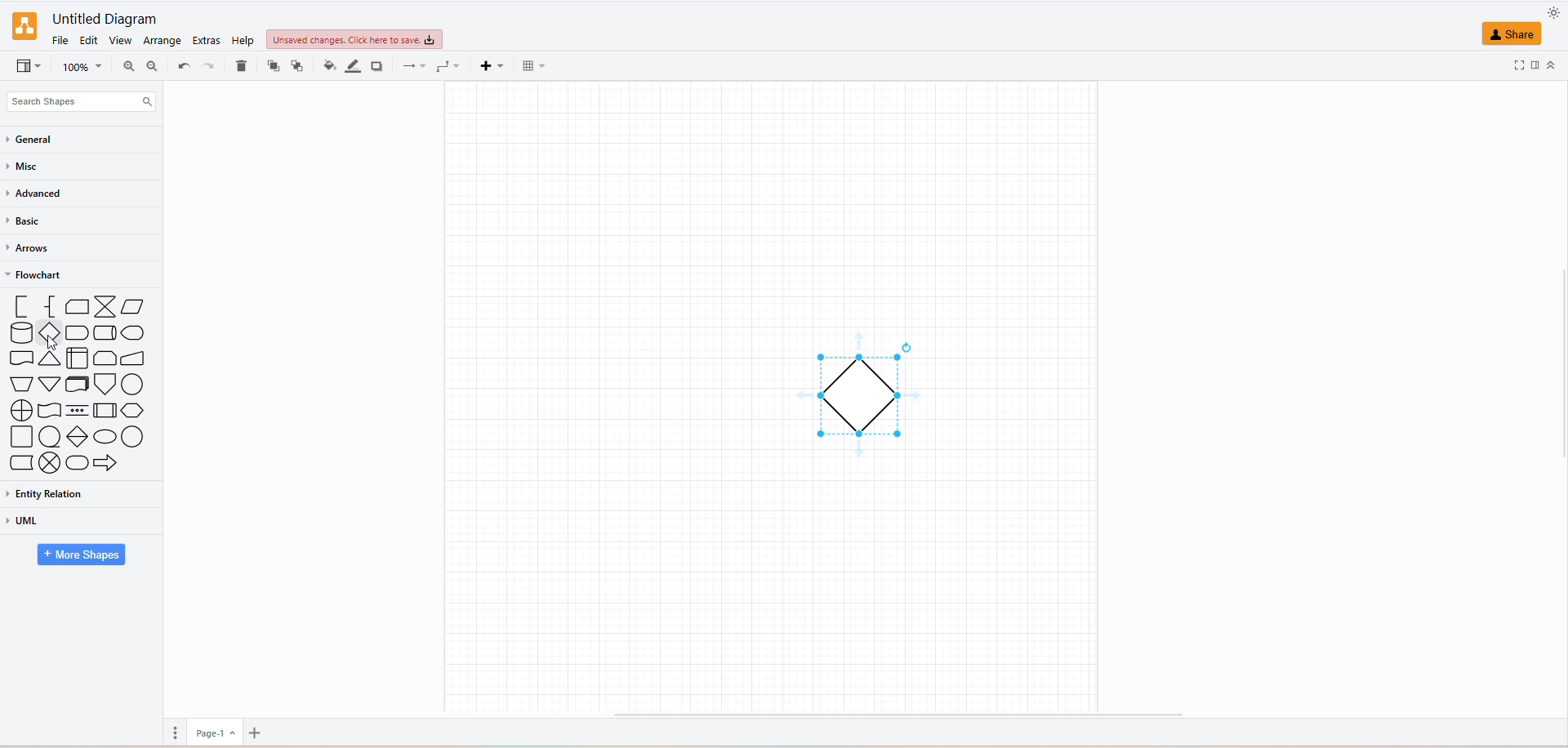 The width and height of the screenshot is (1568, 748). Describe the element at coordinates (382, 67) in the screenshot. I see `SHADOW` at that location.